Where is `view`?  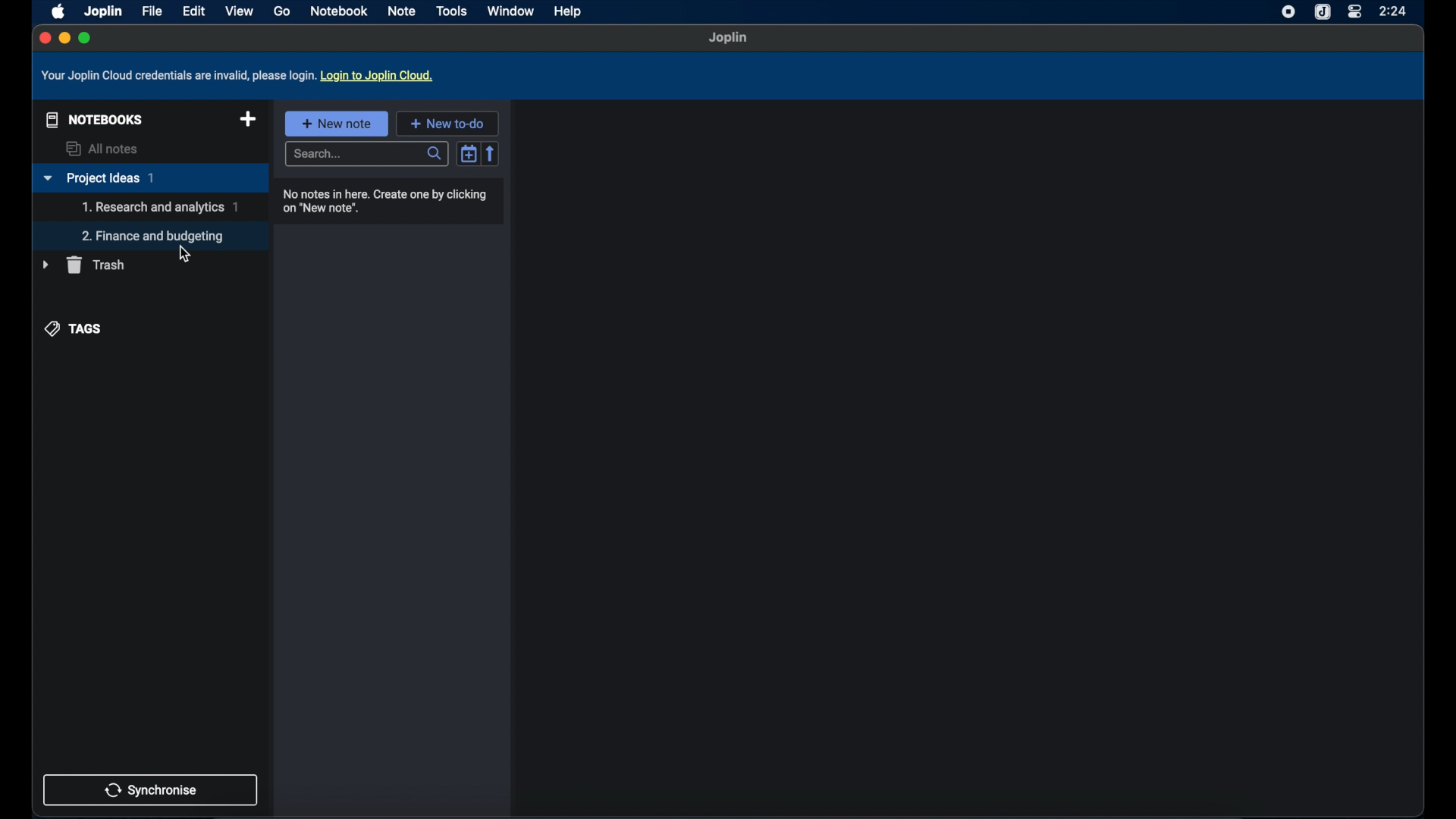
view is located at coordinates (239, 11).